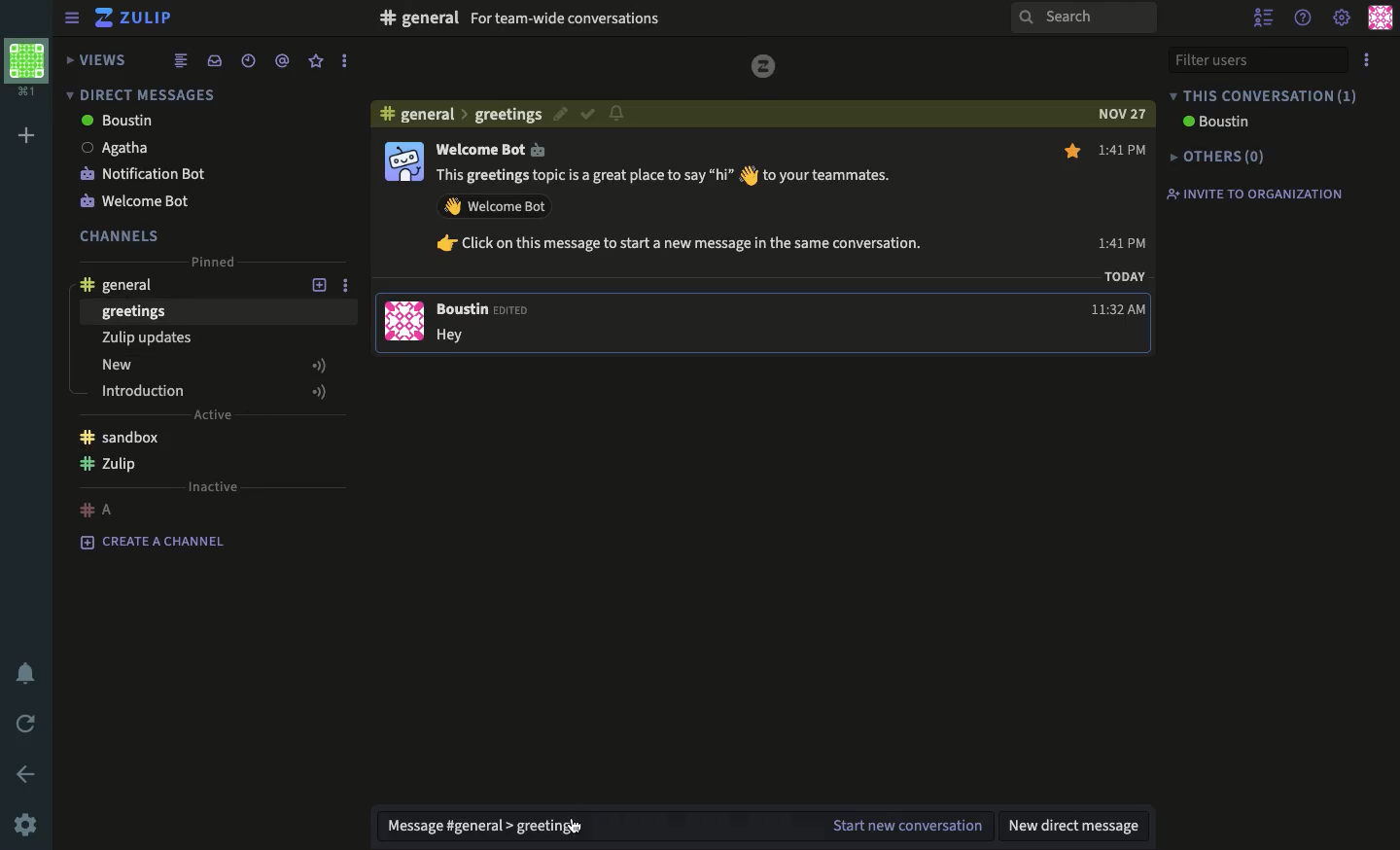 This screenshot has width=1400, height=850. Describe the element at coordinates (93, 59) in the screenshot. I see `views` at that location.